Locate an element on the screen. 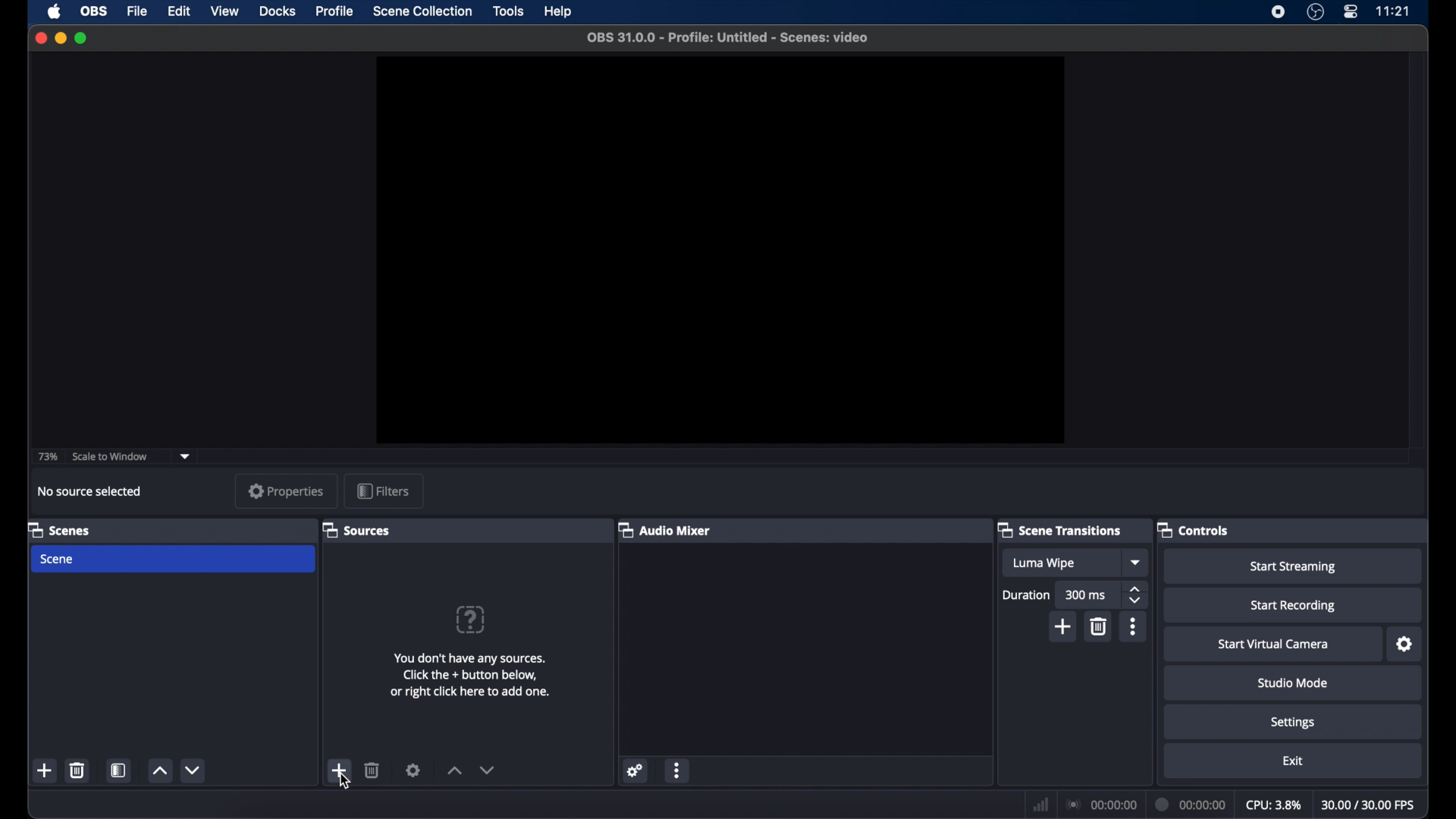 The width and height of the screenshot is (1456, 819). add is located at coordinates (1064, 626).